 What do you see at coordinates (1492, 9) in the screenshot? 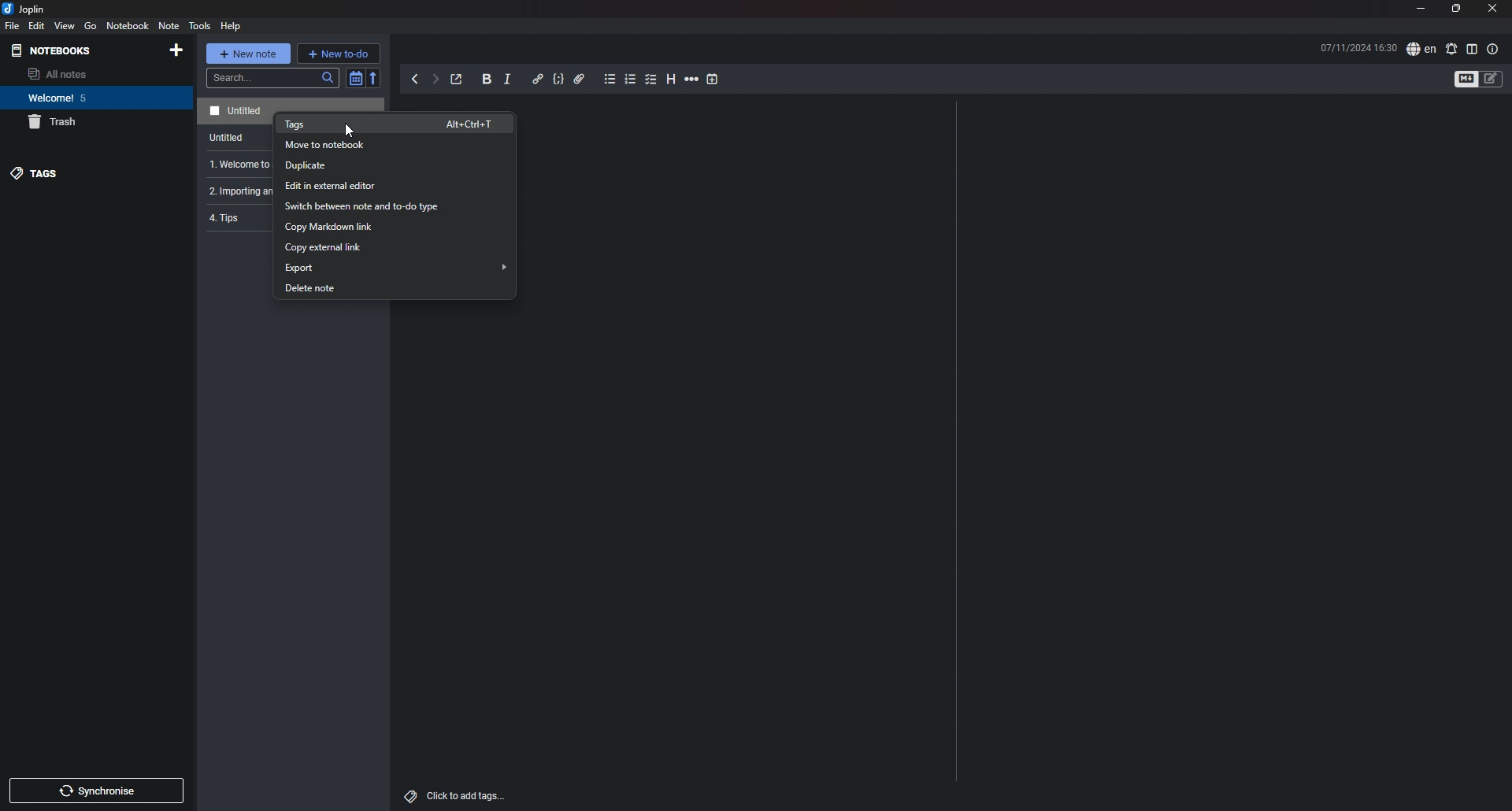
I see `close` at bounding box center [1492, 9].